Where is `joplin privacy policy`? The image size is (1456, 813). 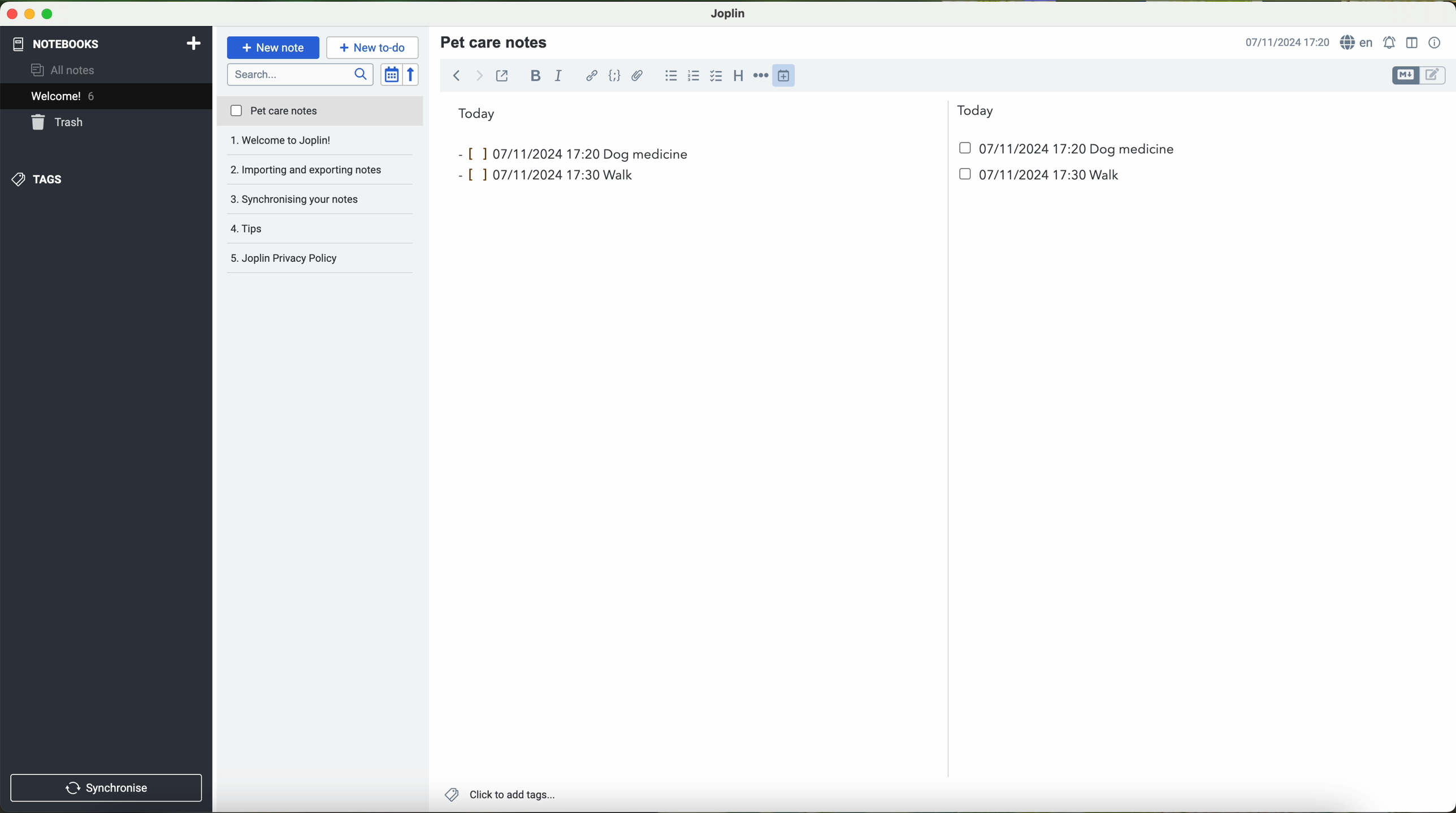 joplin privacy policy is located at coordinates (314, 260).